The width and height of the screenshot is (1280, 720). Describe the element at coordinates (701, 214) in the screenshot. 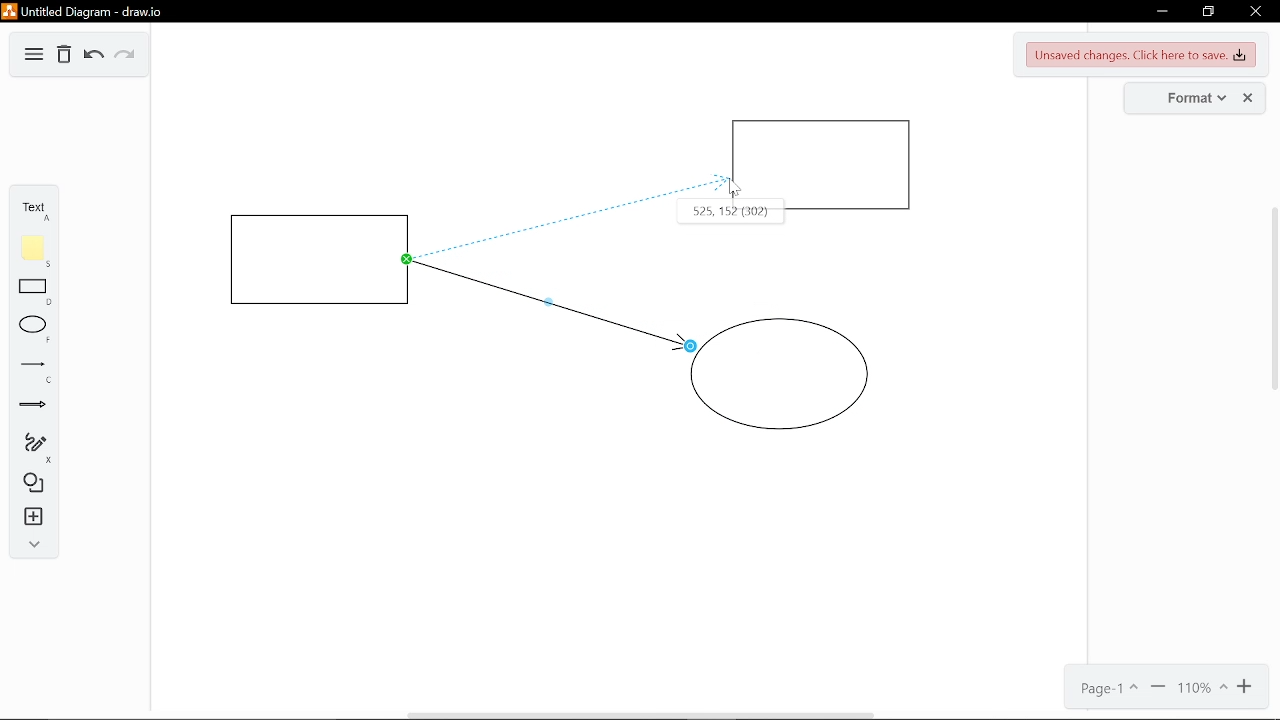

I see `Co-ordinates ` at that location.